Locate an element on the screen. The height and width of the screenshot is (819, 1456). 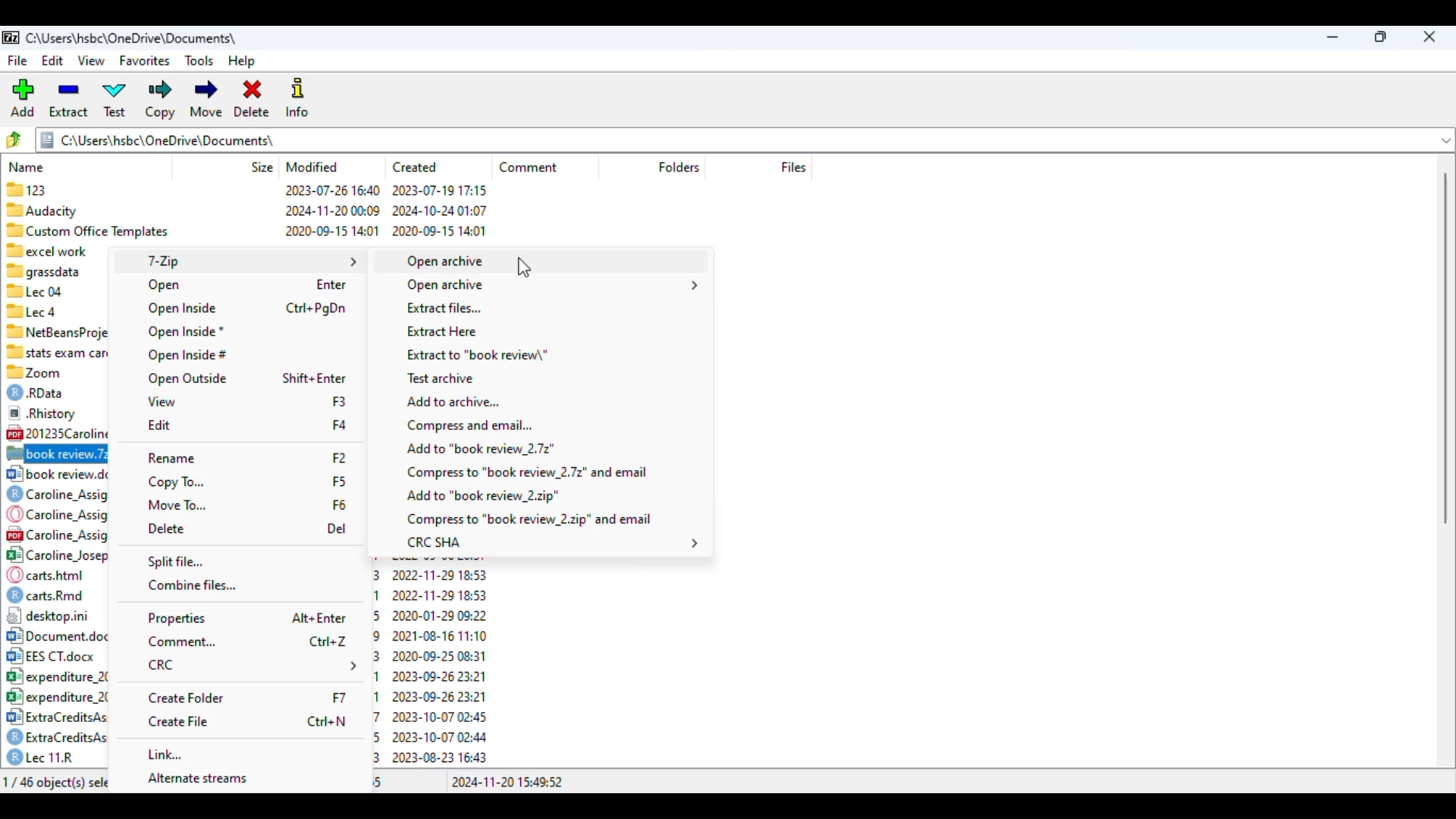
add to .zip file is located at coordinates (481, 497).